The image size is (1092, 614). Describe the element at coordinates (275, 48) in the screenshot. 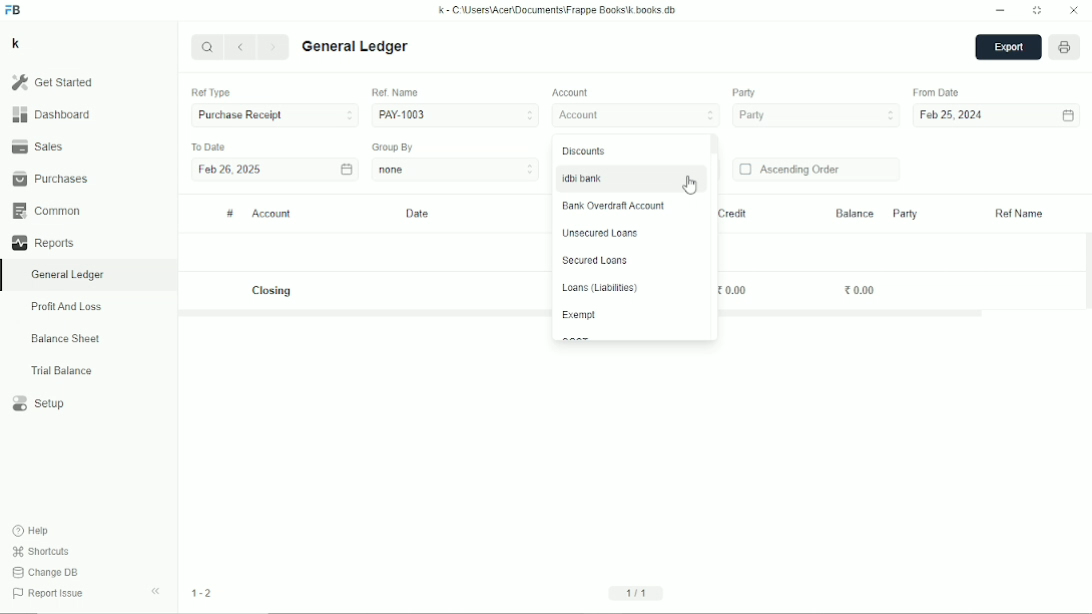

I see `Next` at that location.